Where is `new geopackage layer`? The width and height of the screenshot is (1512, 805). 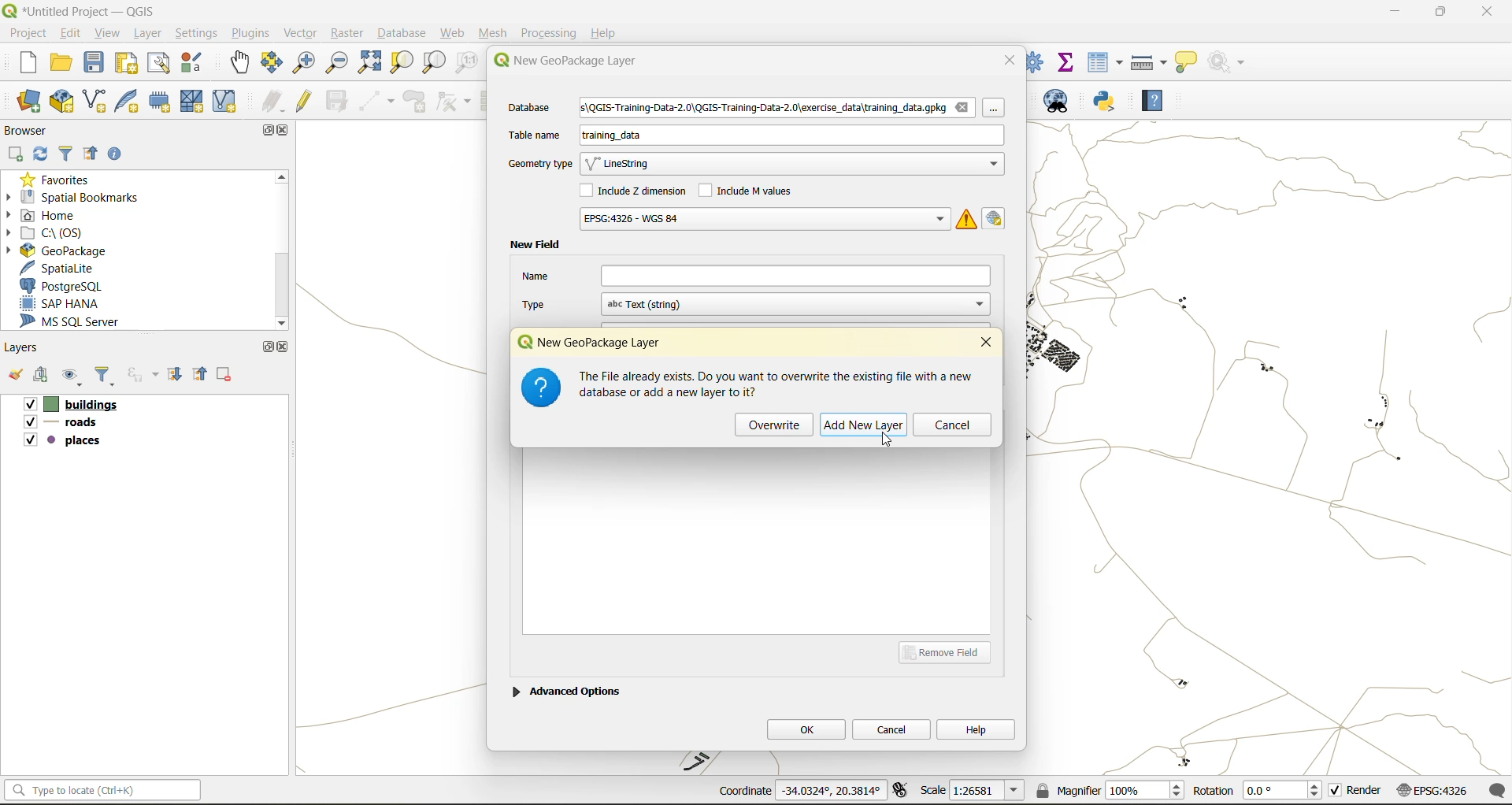 new geopackage layer is located at coordinates (598, 341).